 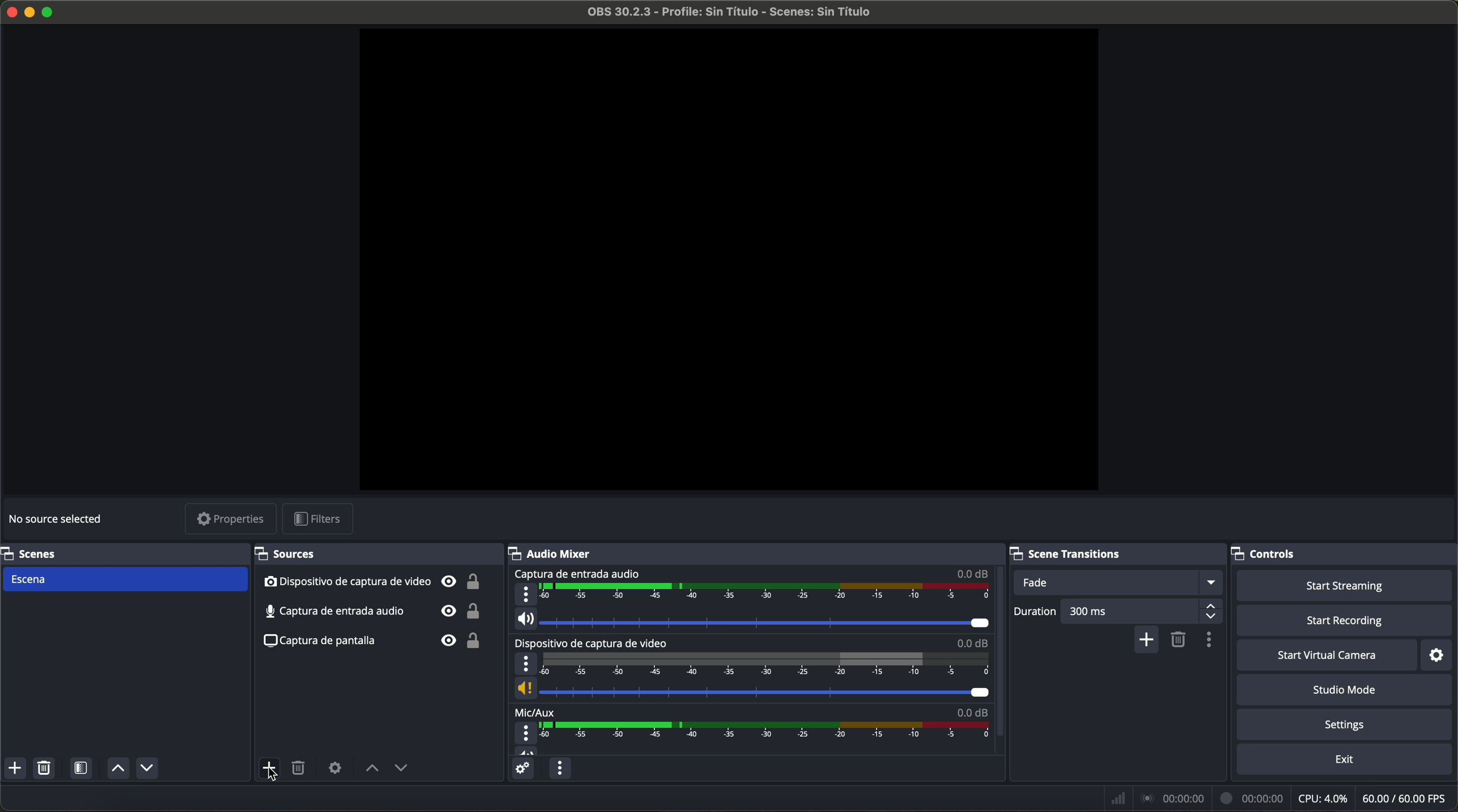 I want to click on scene, so click(x=124, y=580).